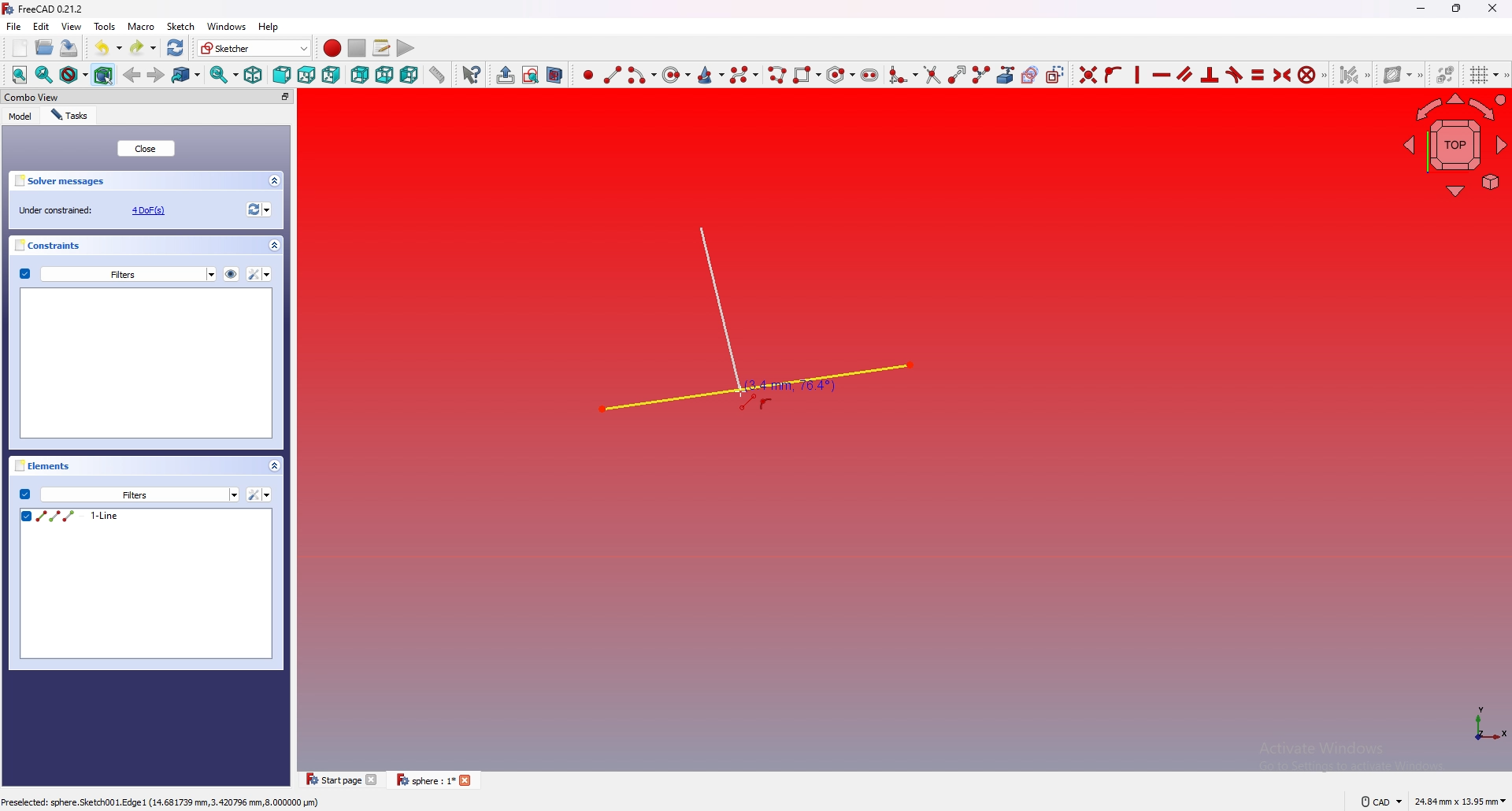 The width and height of the screenshot is (1512, 811). I want to click on Create rectangle, so click(806, 73).